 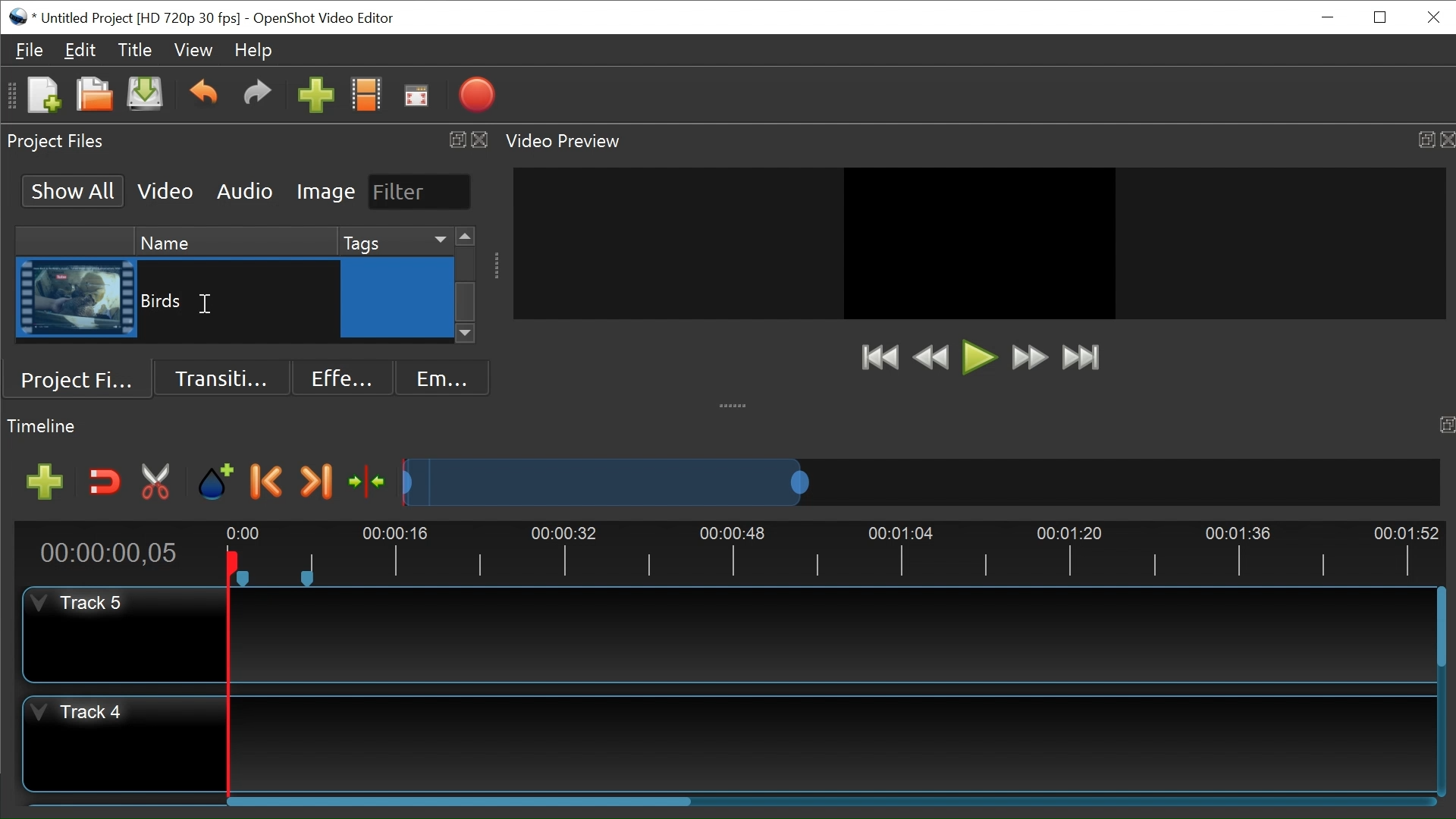 What do you see at coordinates (74, 715) in the screenshot?
I see `Track Header` at bounding box center [74, 715].